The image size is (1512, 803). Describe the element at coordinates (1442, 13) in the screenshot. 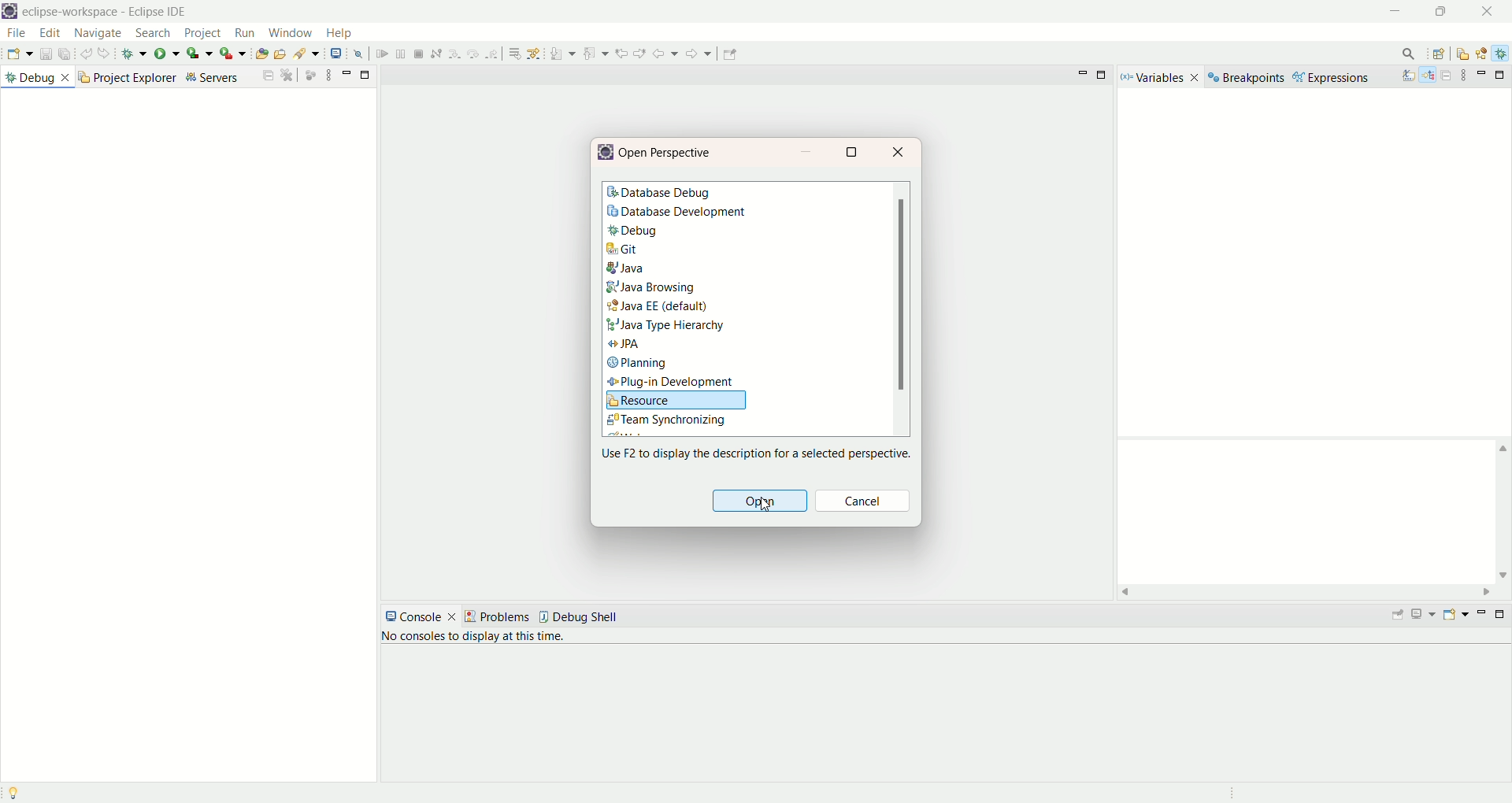

I see `maximize` at that location.